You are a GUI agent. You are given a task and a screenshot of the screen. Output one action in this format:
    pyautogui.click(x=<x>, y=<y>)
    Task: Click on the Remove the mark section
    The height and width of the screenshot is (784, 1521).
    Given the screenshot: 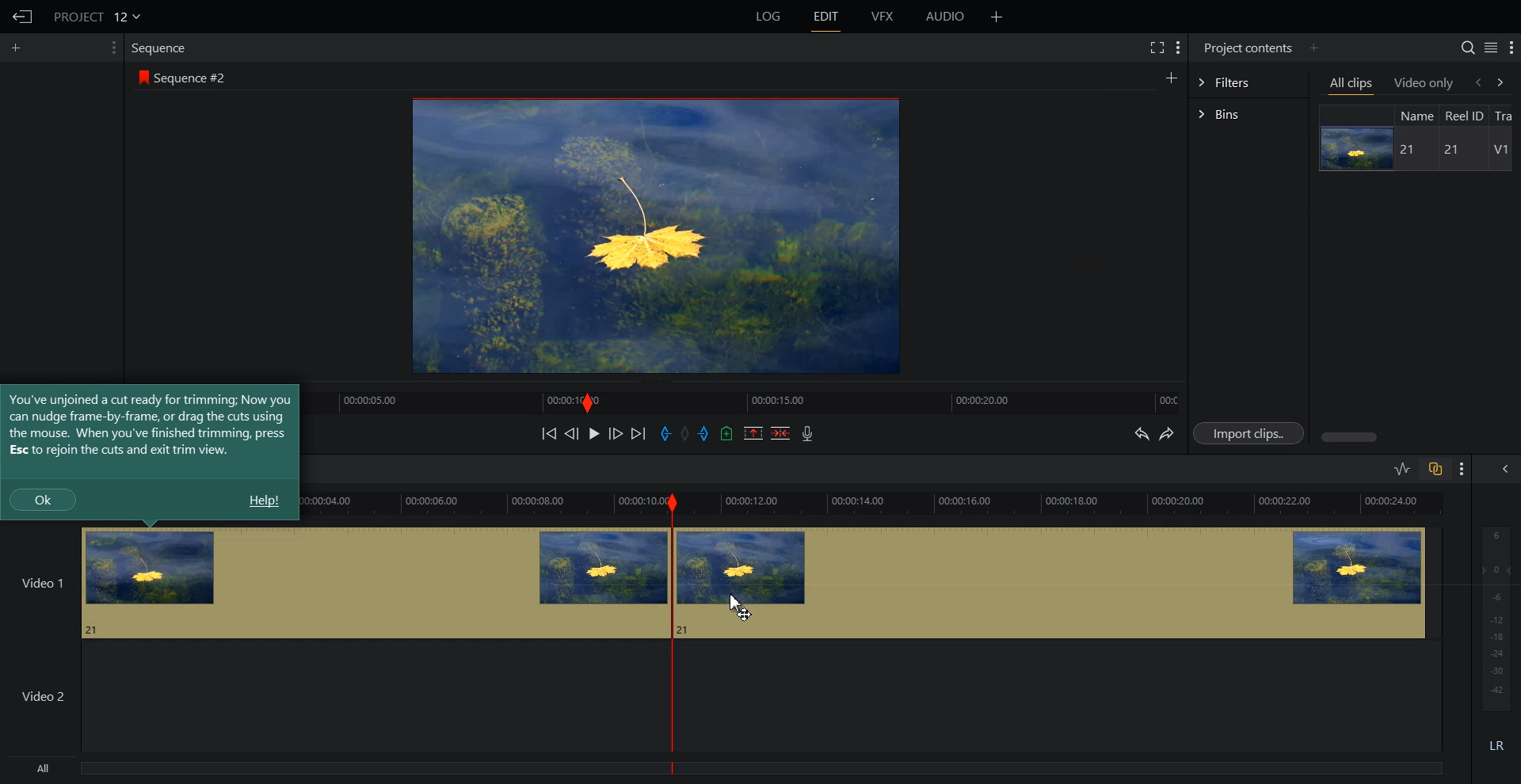 What is the action you would take?
    pyautogui.click(x=753, y=433)
    